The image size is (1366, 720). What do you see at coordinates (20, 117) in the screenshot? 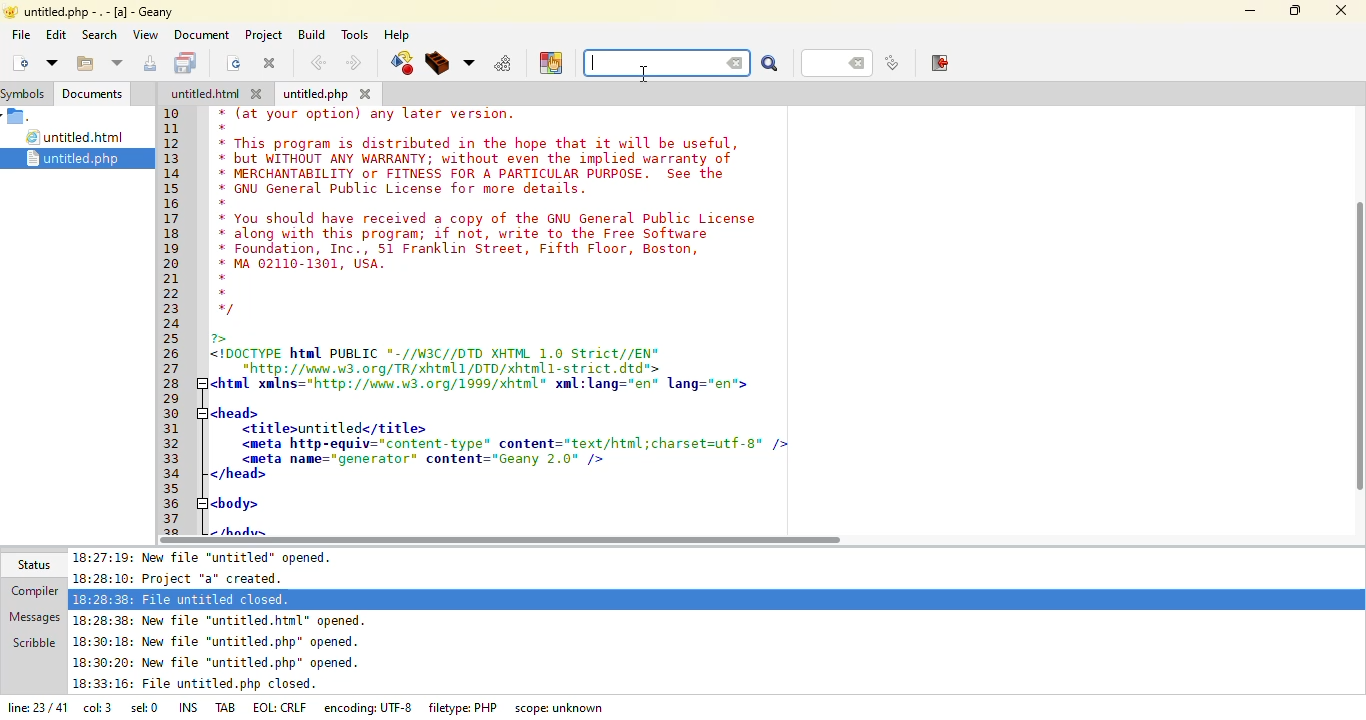
I see `File` at bounding box center [20, 117].